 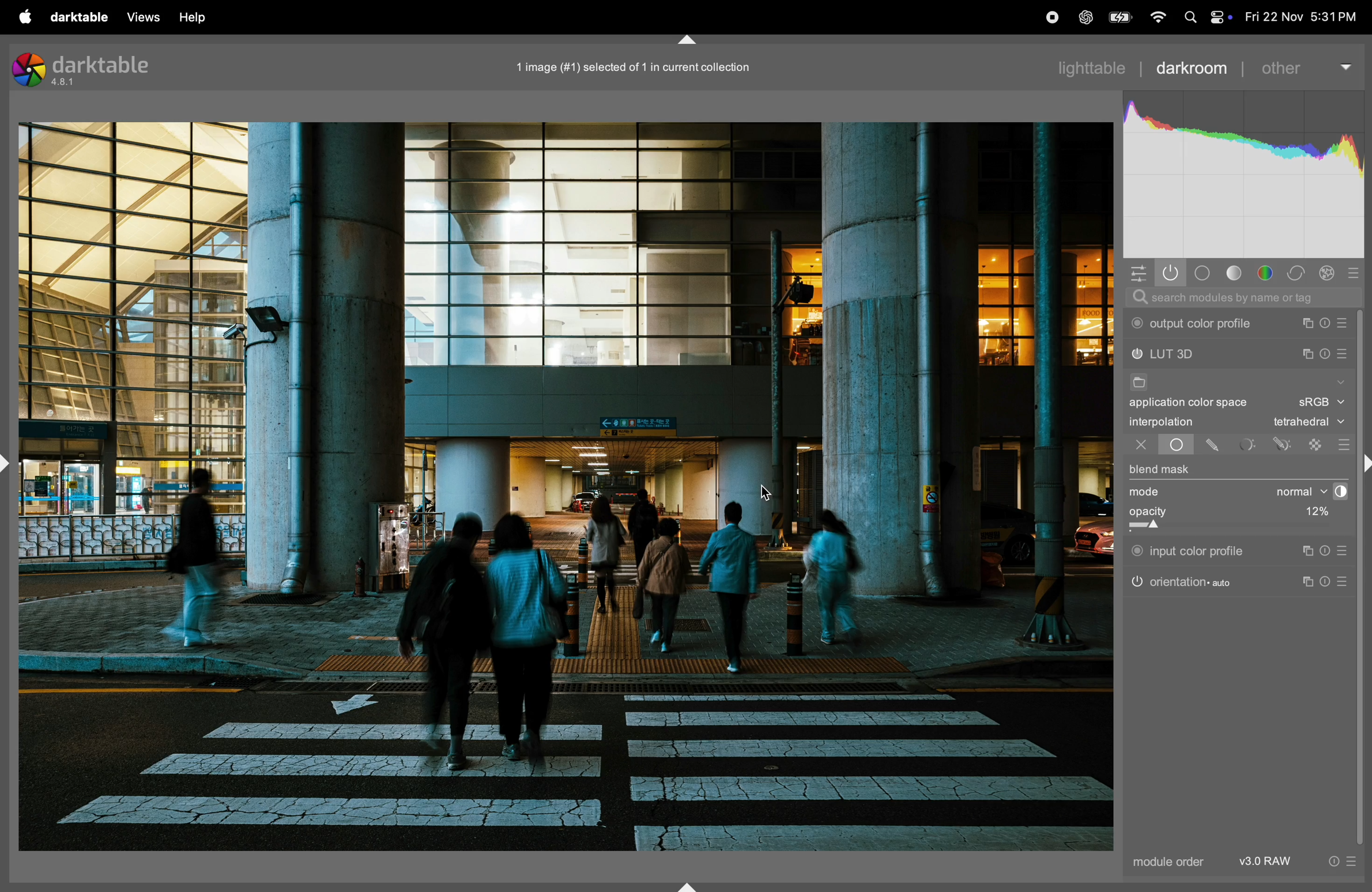 I want to click on darktable version, so click(x=89, y=68).